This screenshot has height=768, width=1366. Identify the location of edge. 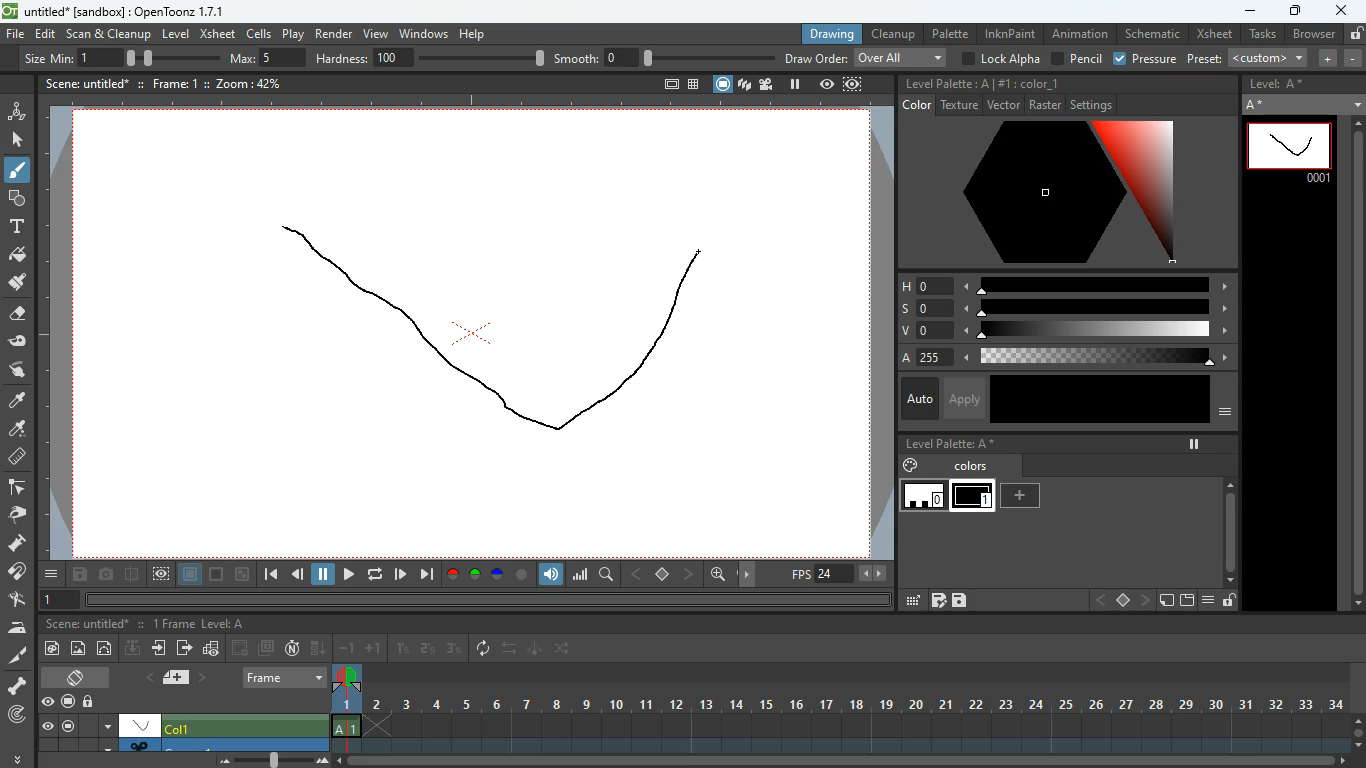
(16, 488).